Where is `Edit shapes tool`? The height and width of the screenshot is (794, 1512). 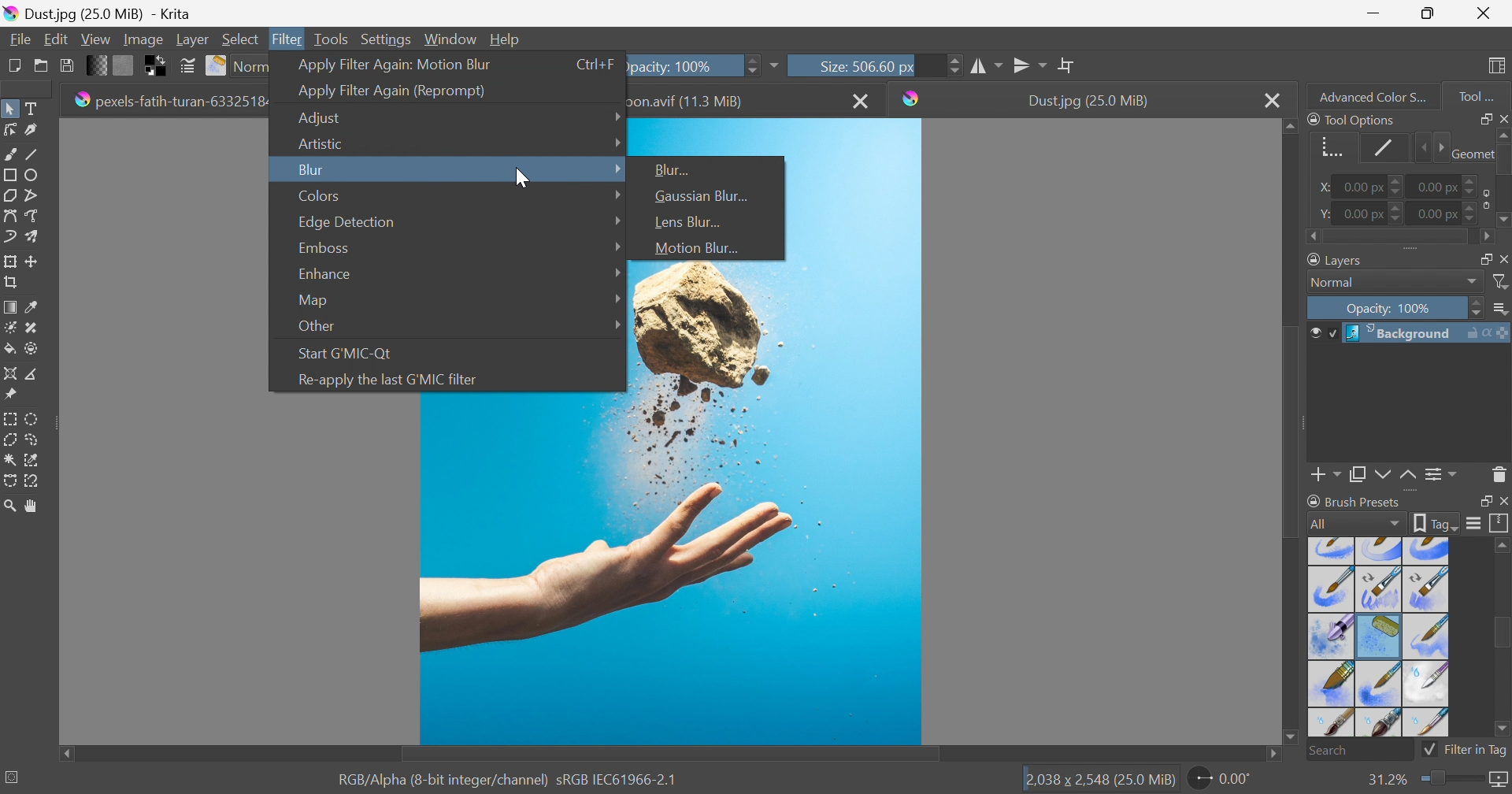 Edit shapes tool is located at coordinates (9, 129).